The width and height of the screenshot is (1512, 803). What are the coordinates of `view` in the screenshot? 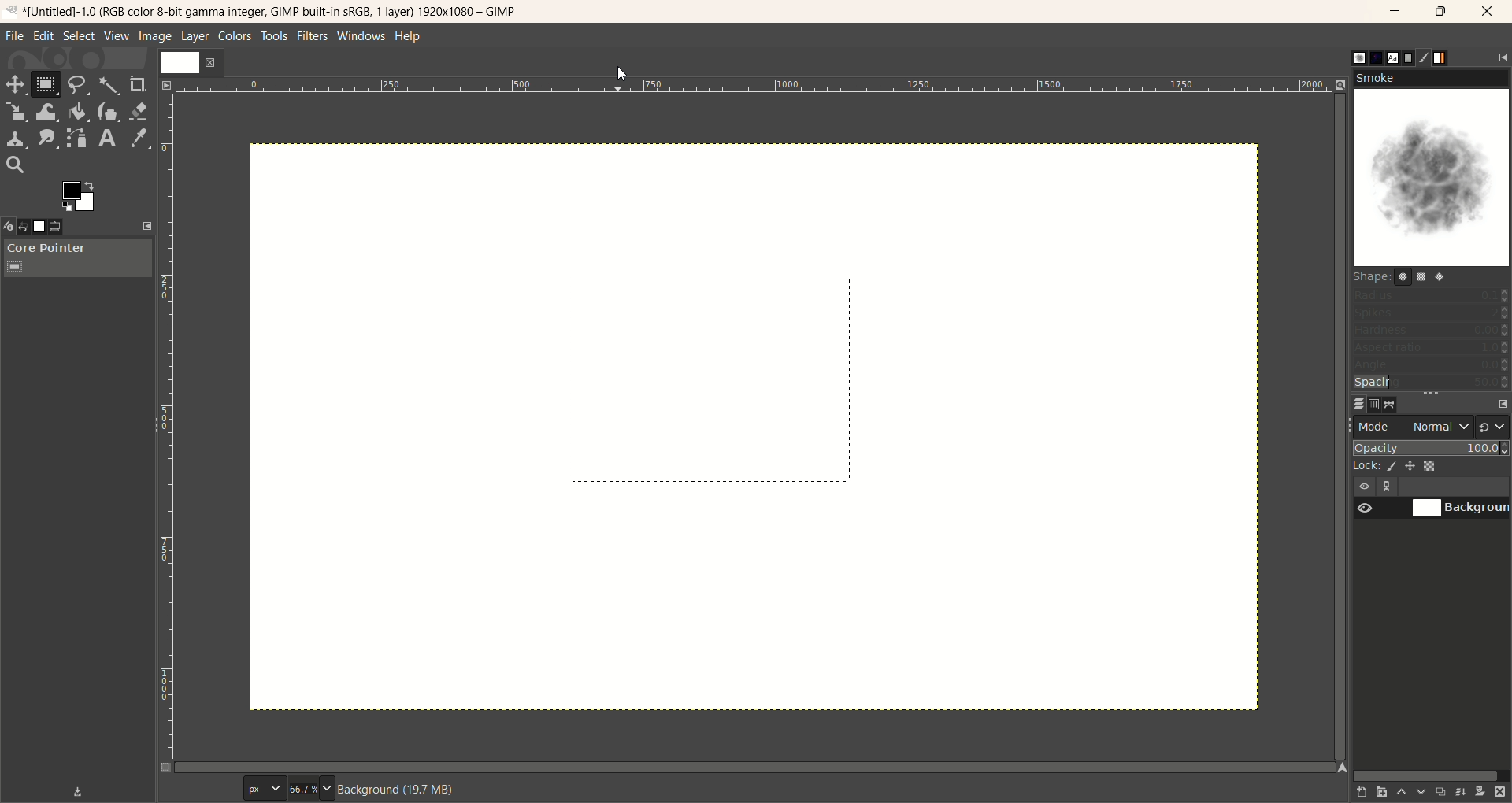 It's located at (117, 37).